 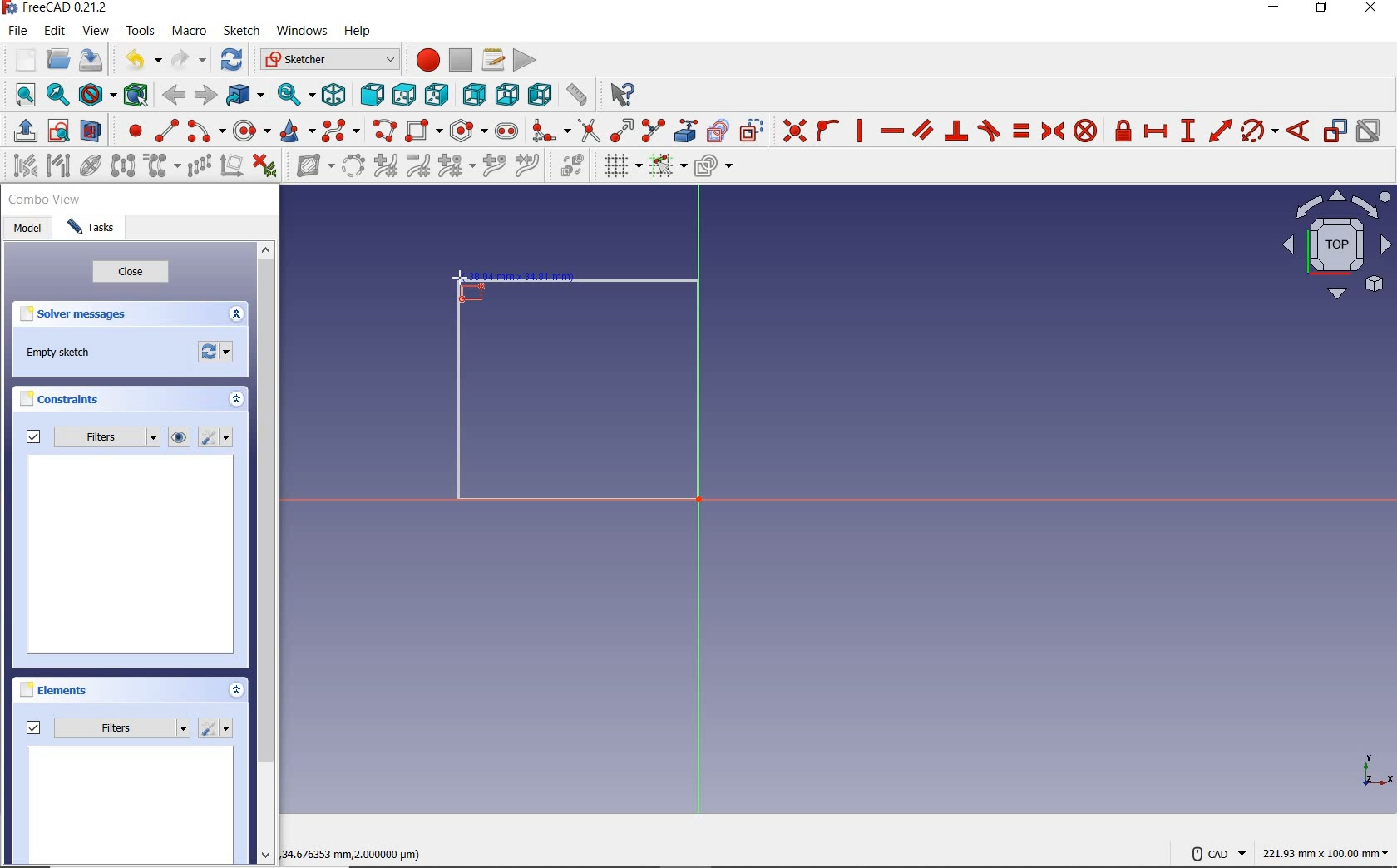 I want to click on constrain vertically, so click(x=861, y=131).